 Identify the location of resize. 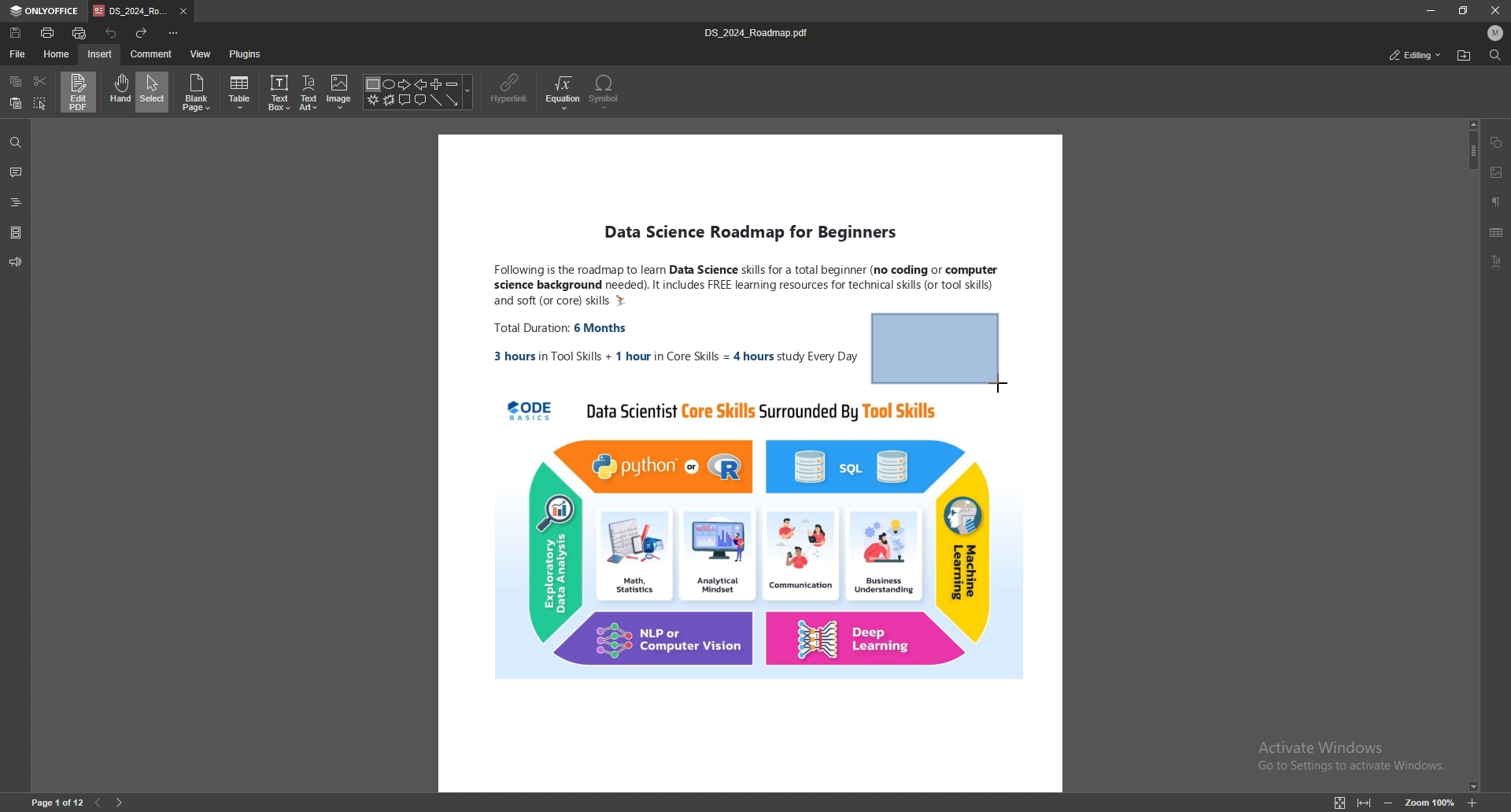
(1464, 10).